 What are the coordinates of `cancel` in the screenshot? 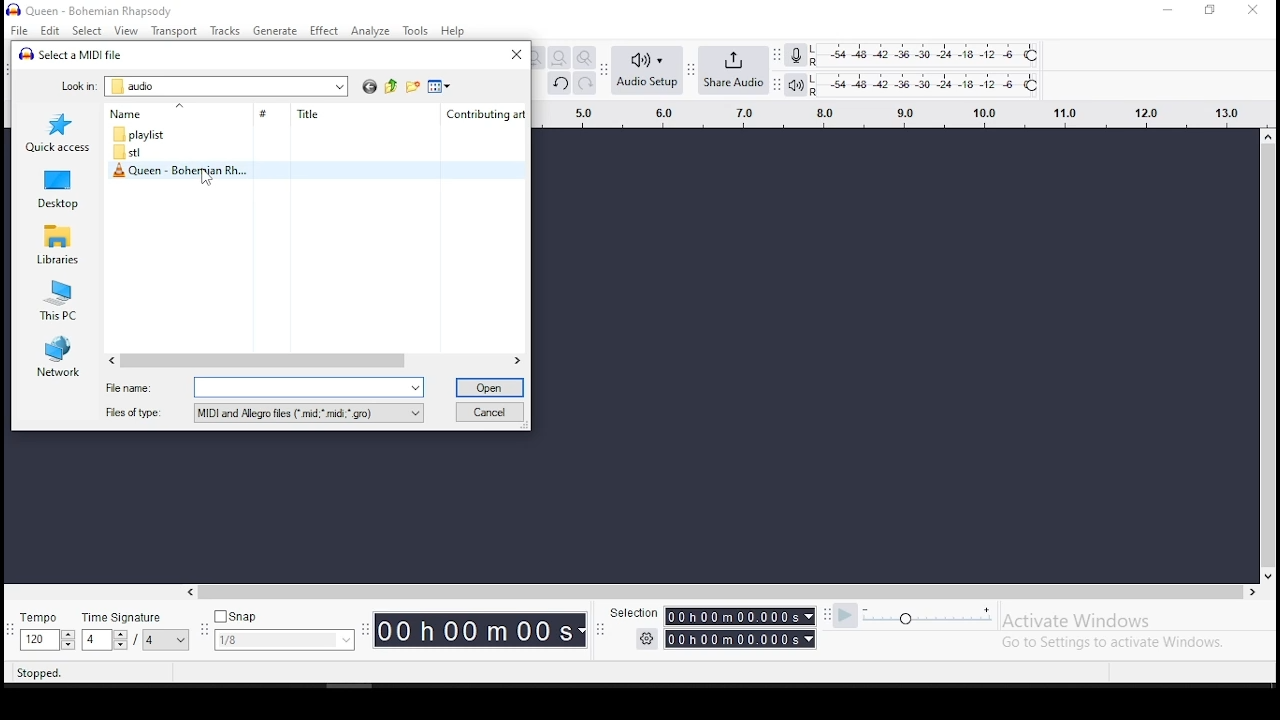 It's located at (490, 412).